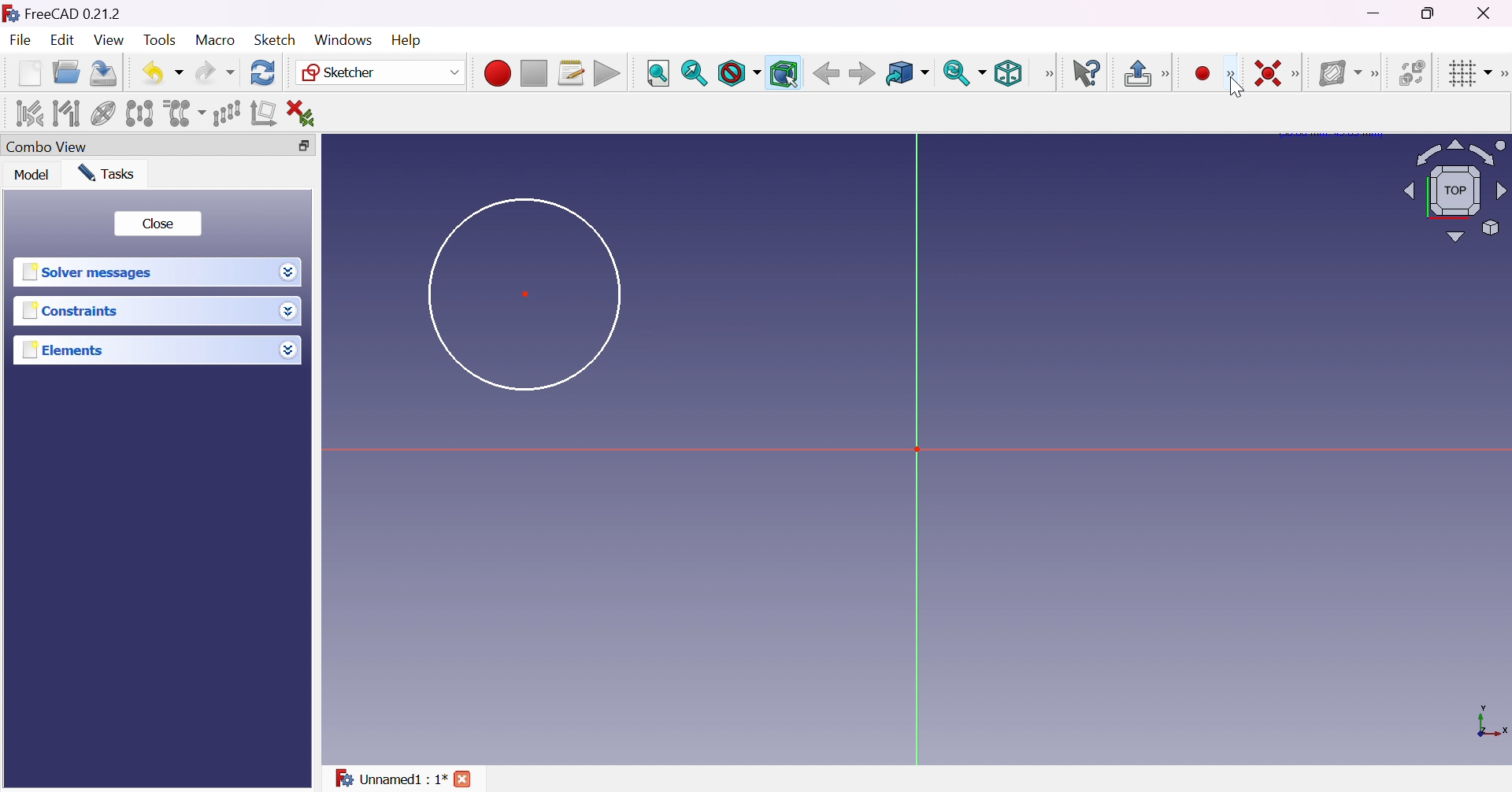  I want to click on Refresh, so click(263, 72).